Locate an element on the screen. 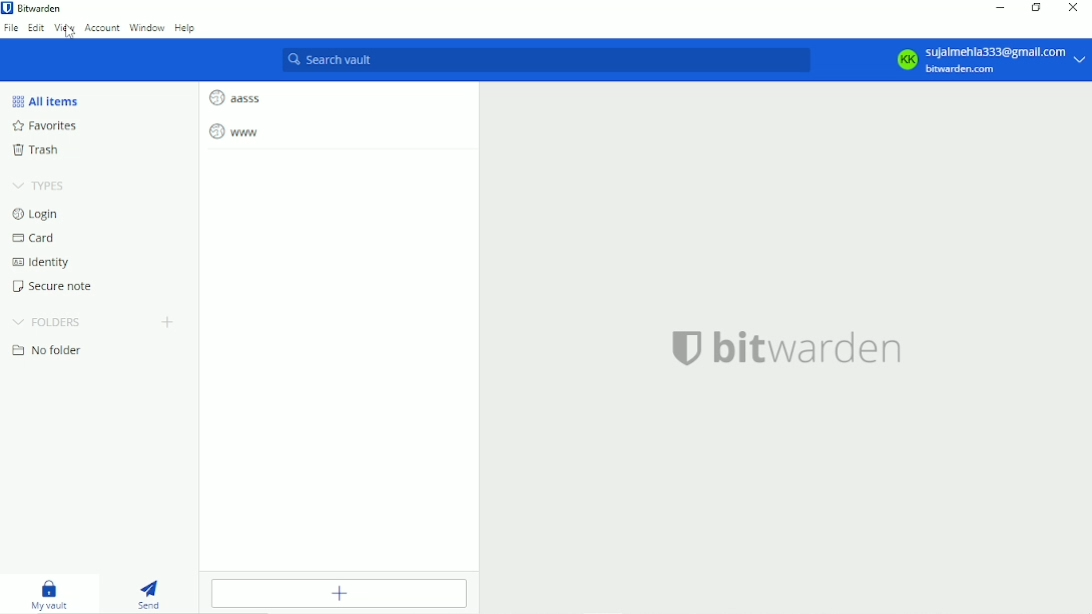 The height and width of the screenshot is (614, 1092). Send is located at coordinates (152, 594).